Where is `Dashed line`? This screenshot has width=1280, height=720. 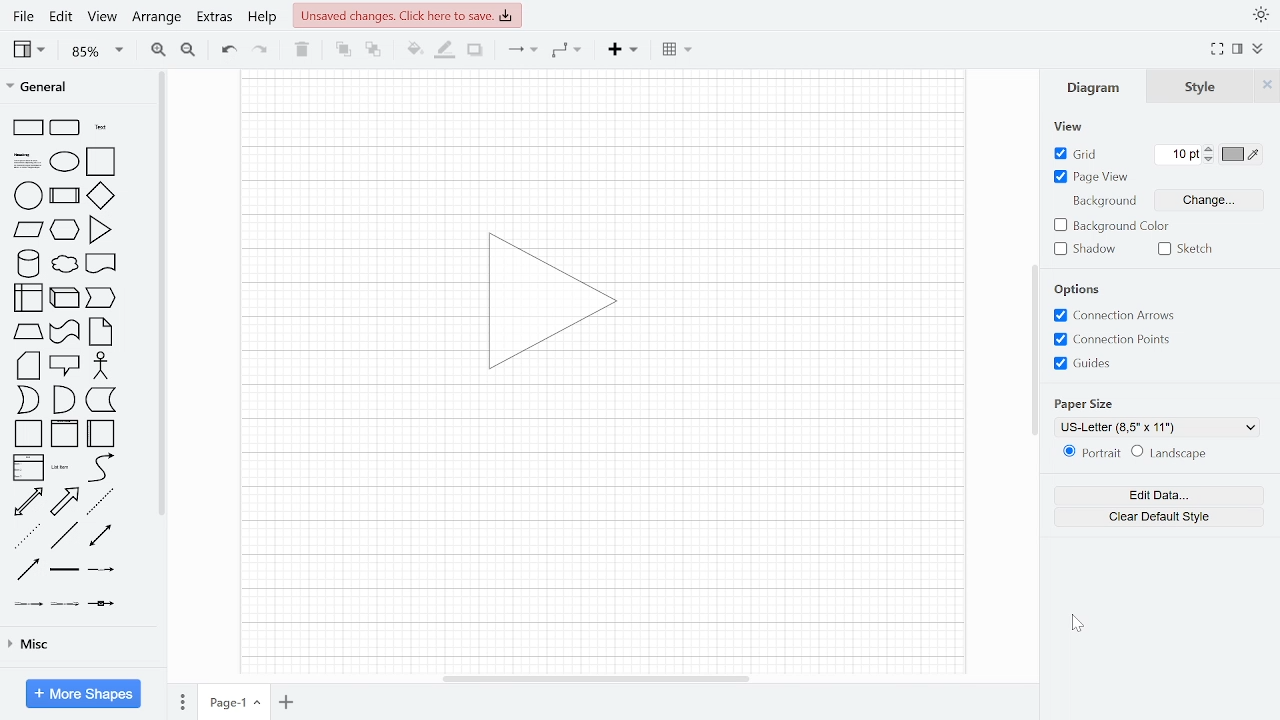
Dashed line is located at coordinates (99, 502).